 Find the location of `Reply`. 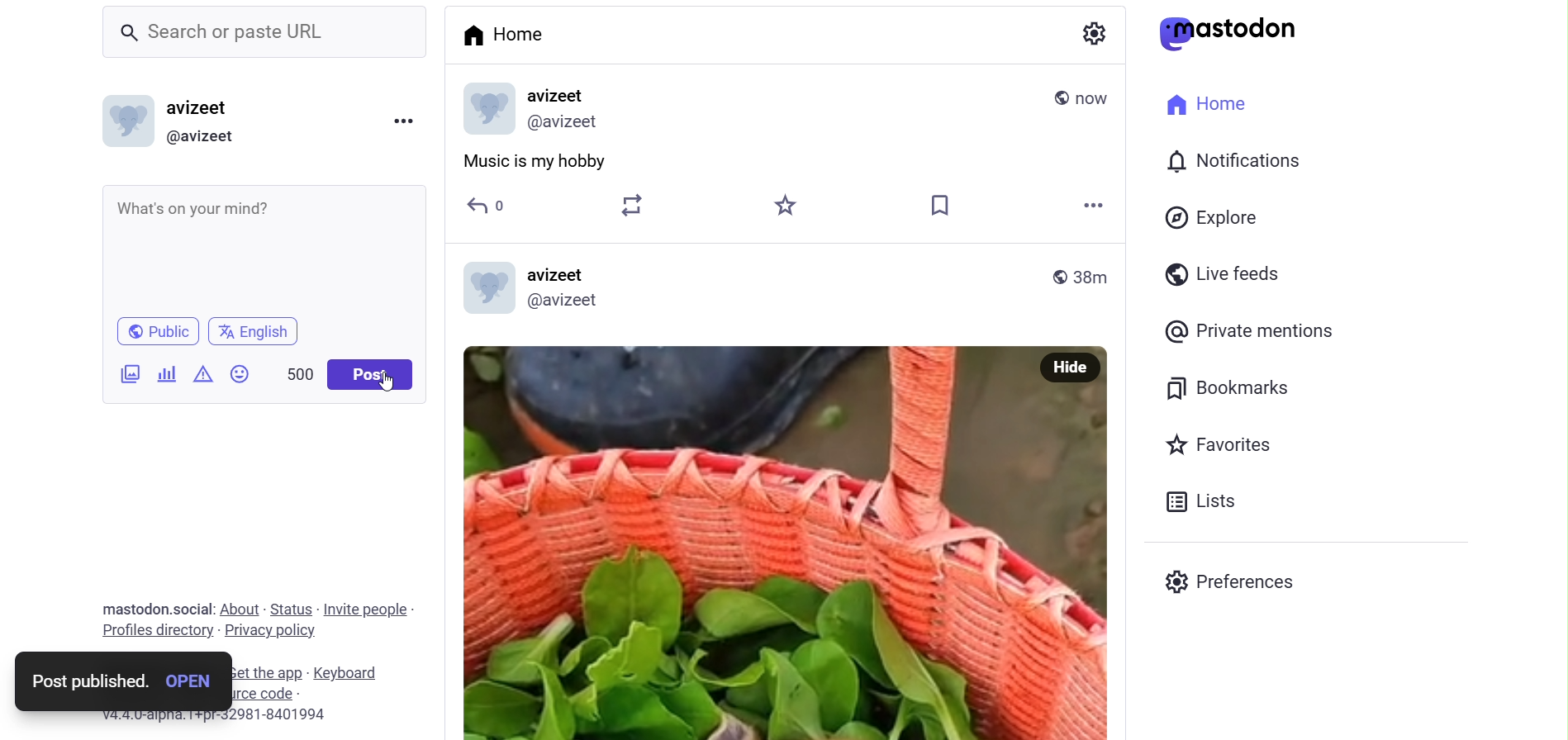

Reply is located at coordinates (484, 205).